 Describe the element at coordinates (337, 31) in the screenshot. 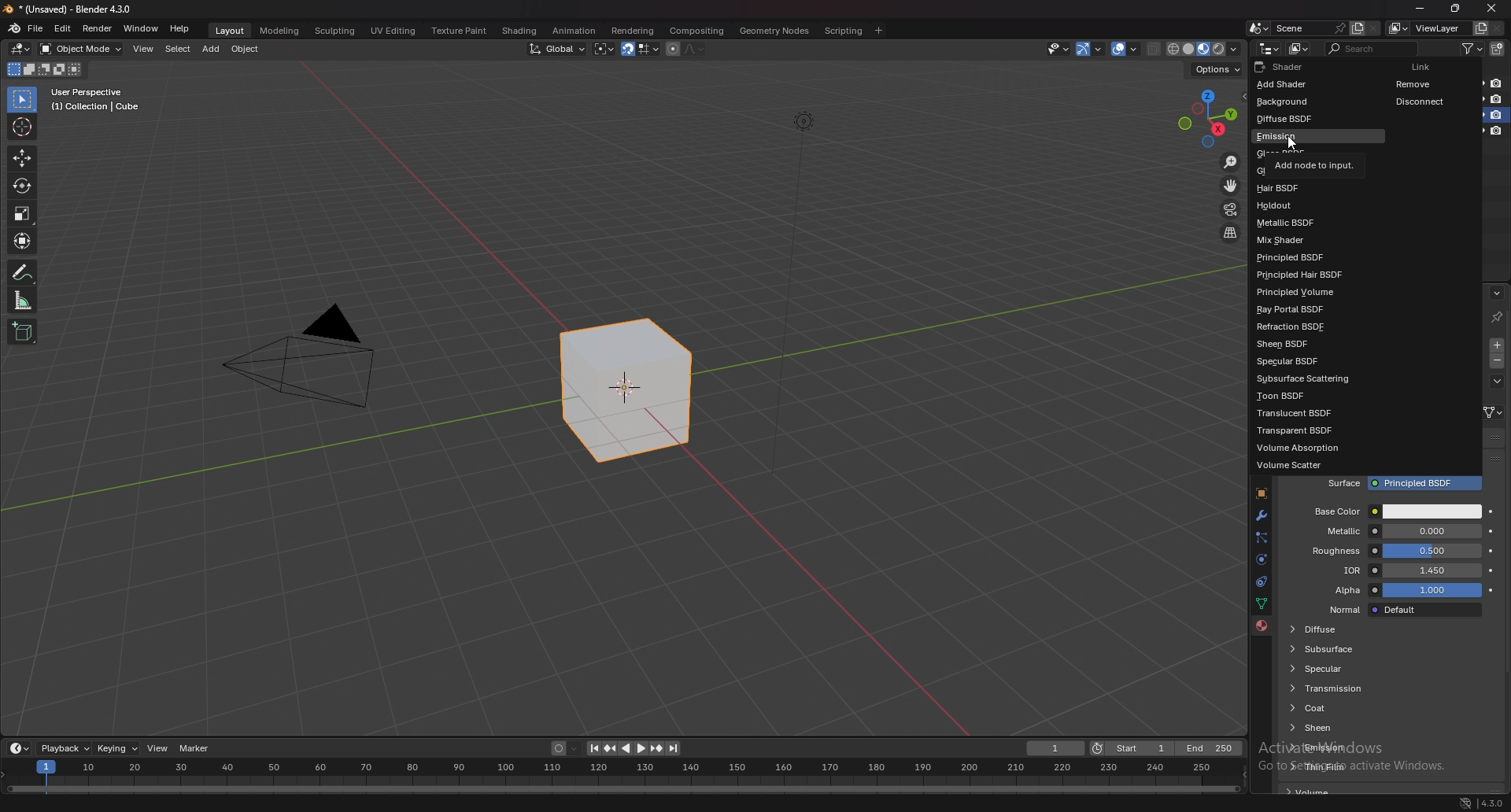

I see `scrulpting` at that location.